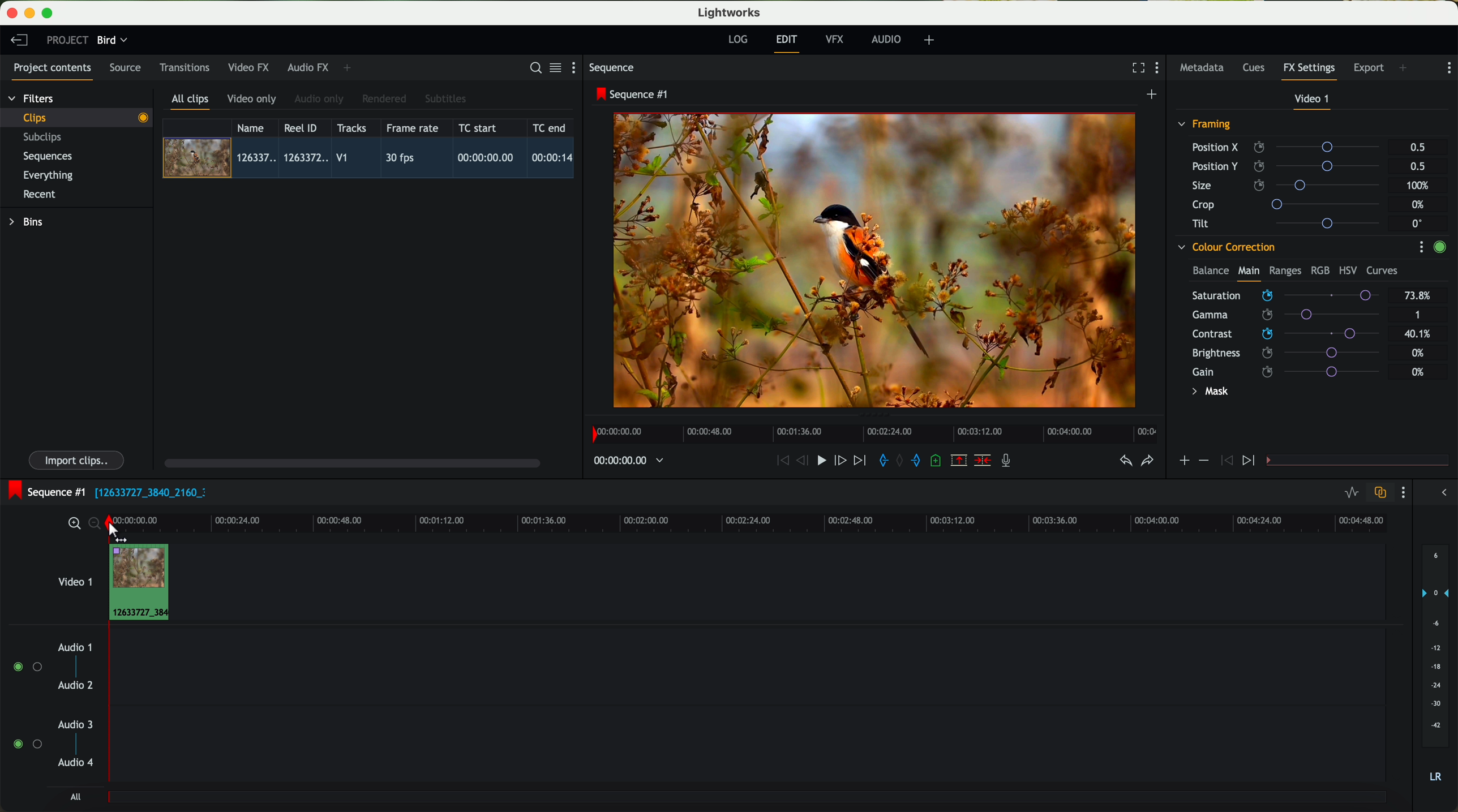  What do you see at coordinates (479, 127) in the screenshot?
I see `TC start` at bounding box center [479, 127].